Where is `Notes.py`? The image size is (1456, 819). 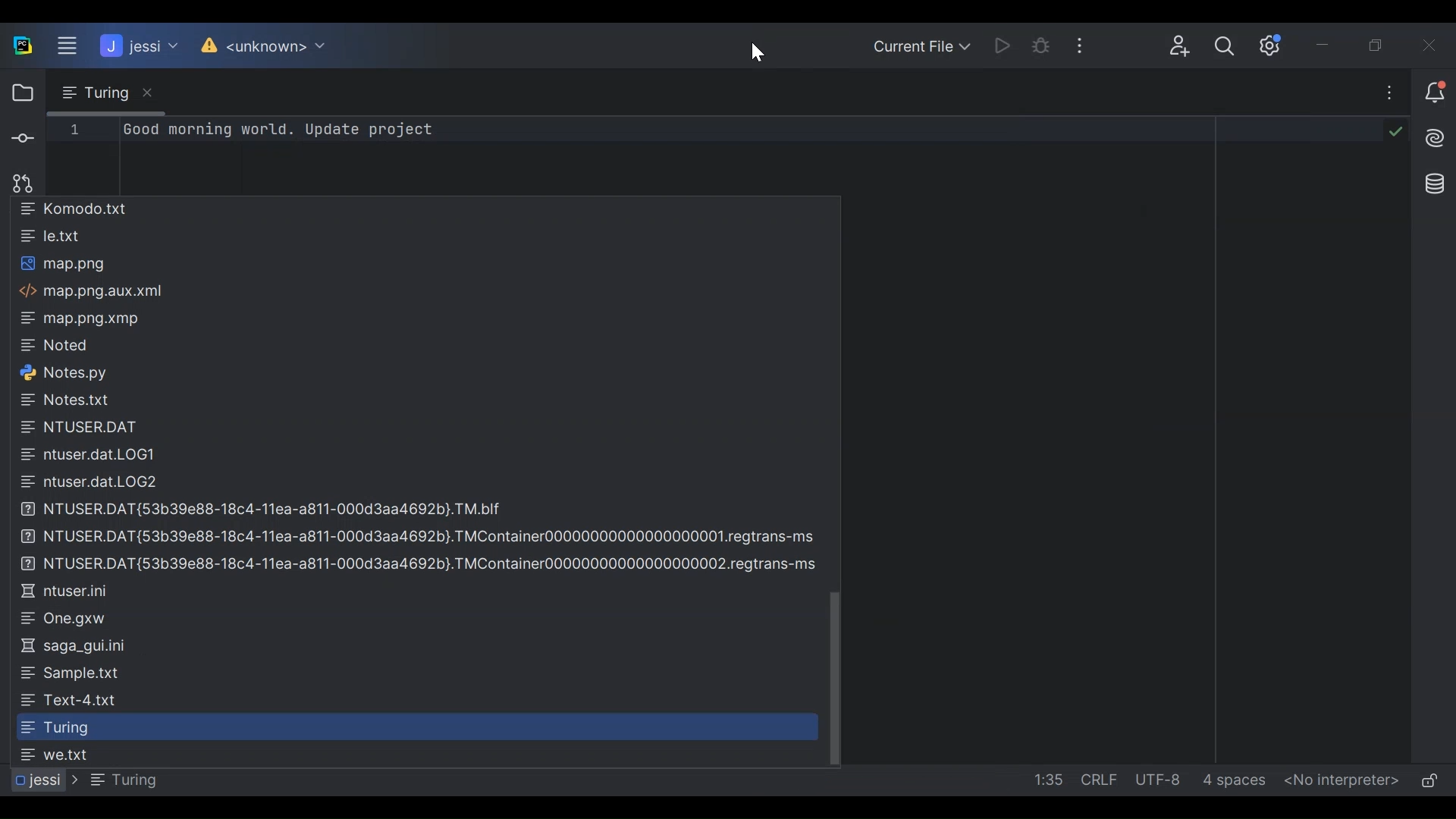 Notes.py is located at coordinates (67, 372).